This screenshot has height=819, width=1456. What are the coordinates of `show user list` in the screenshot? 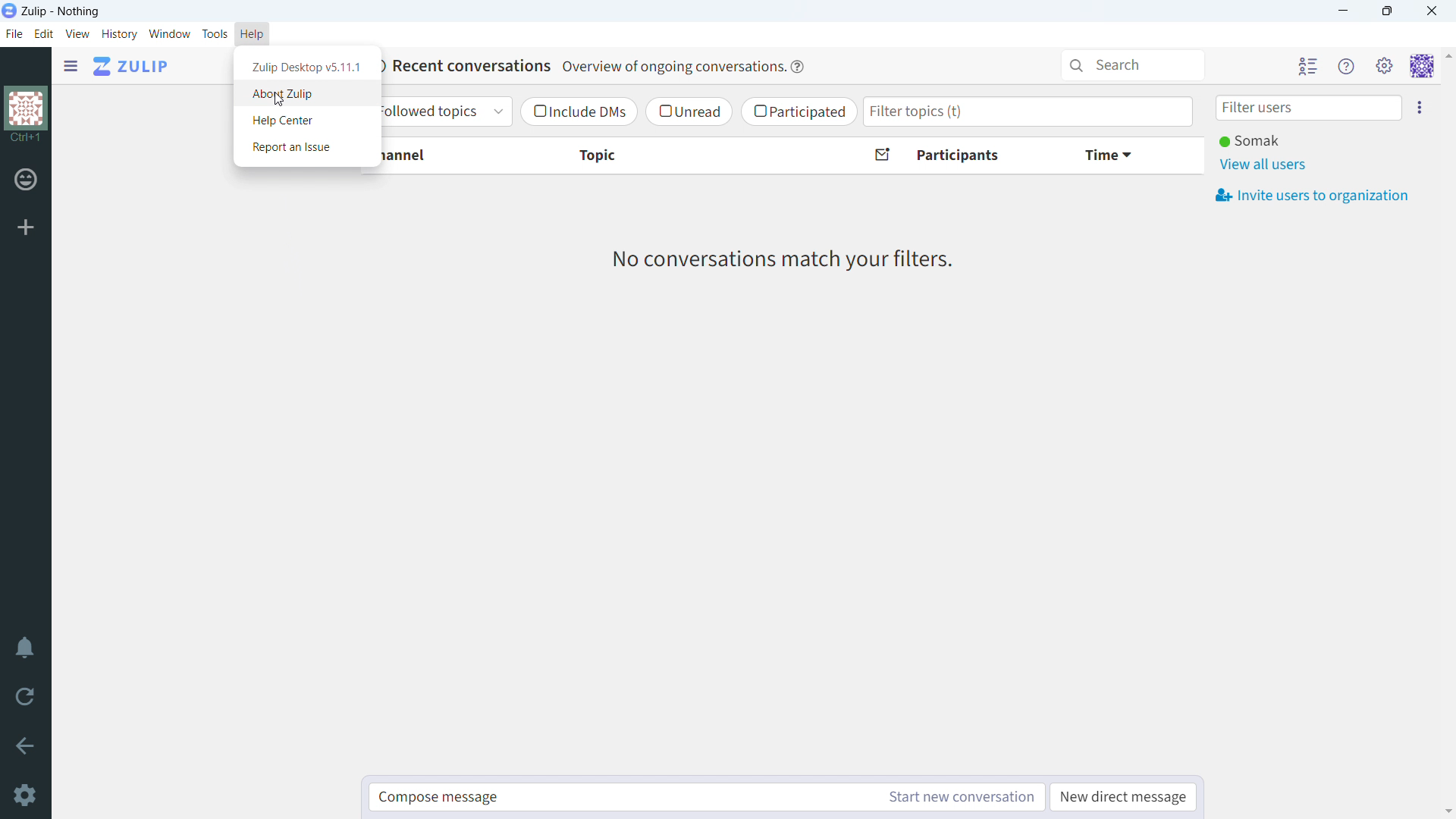 It's located at (1308, 65).